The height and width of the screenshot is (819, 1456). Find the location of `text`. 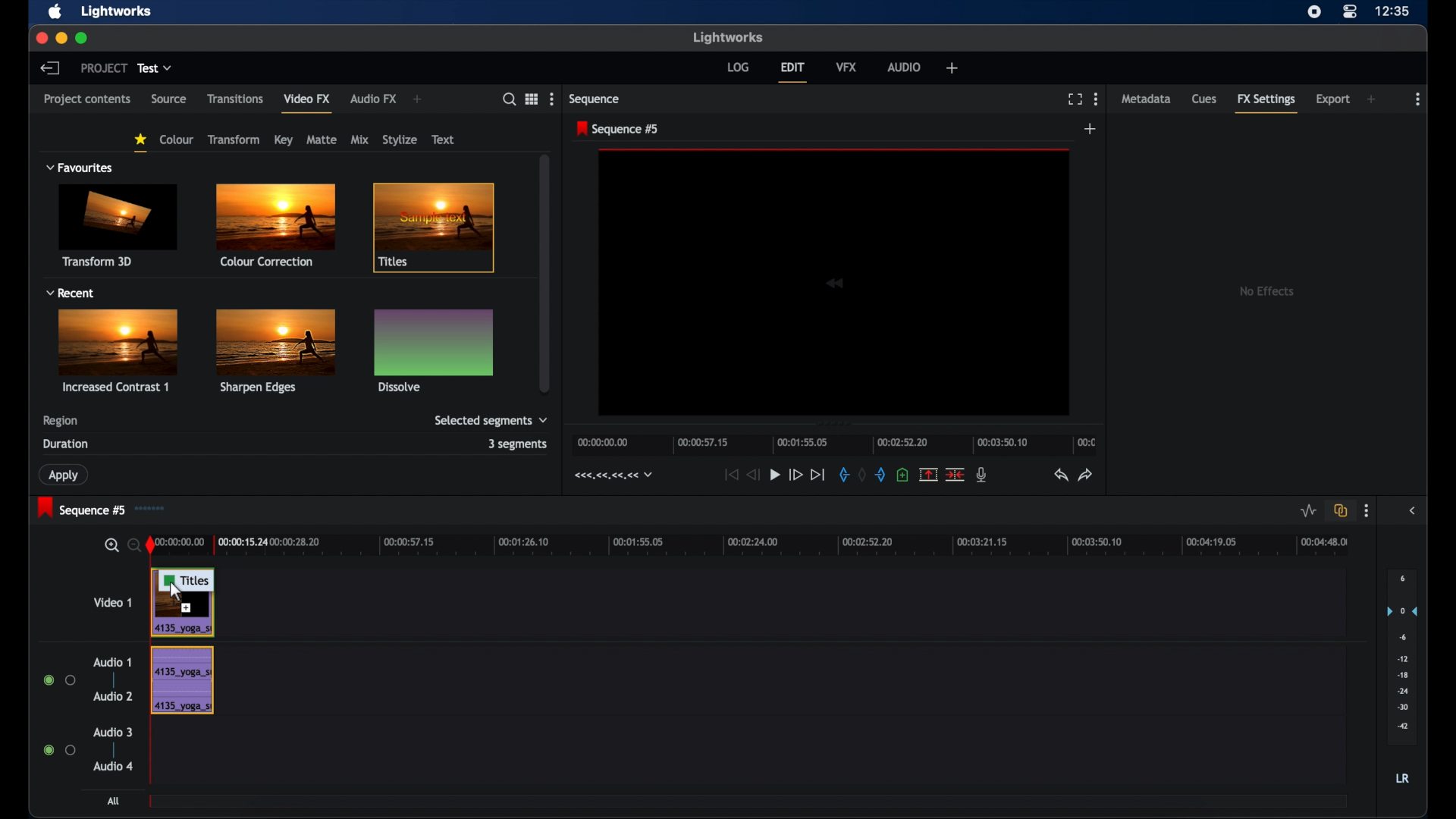

text is located at coordinates (443, 140).